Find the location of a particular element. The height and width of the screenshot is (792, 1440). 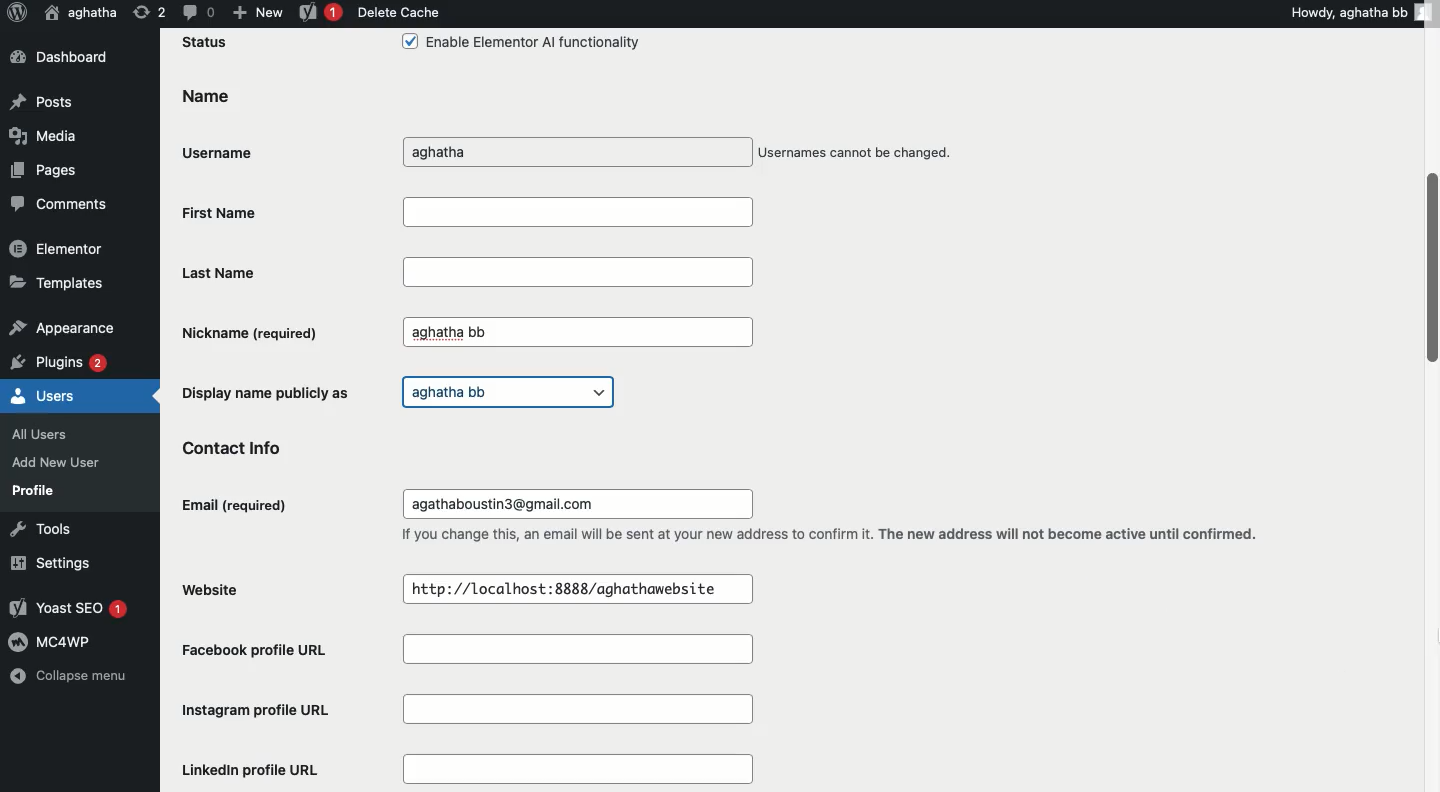

Tools is located at coordinates (37, 528).